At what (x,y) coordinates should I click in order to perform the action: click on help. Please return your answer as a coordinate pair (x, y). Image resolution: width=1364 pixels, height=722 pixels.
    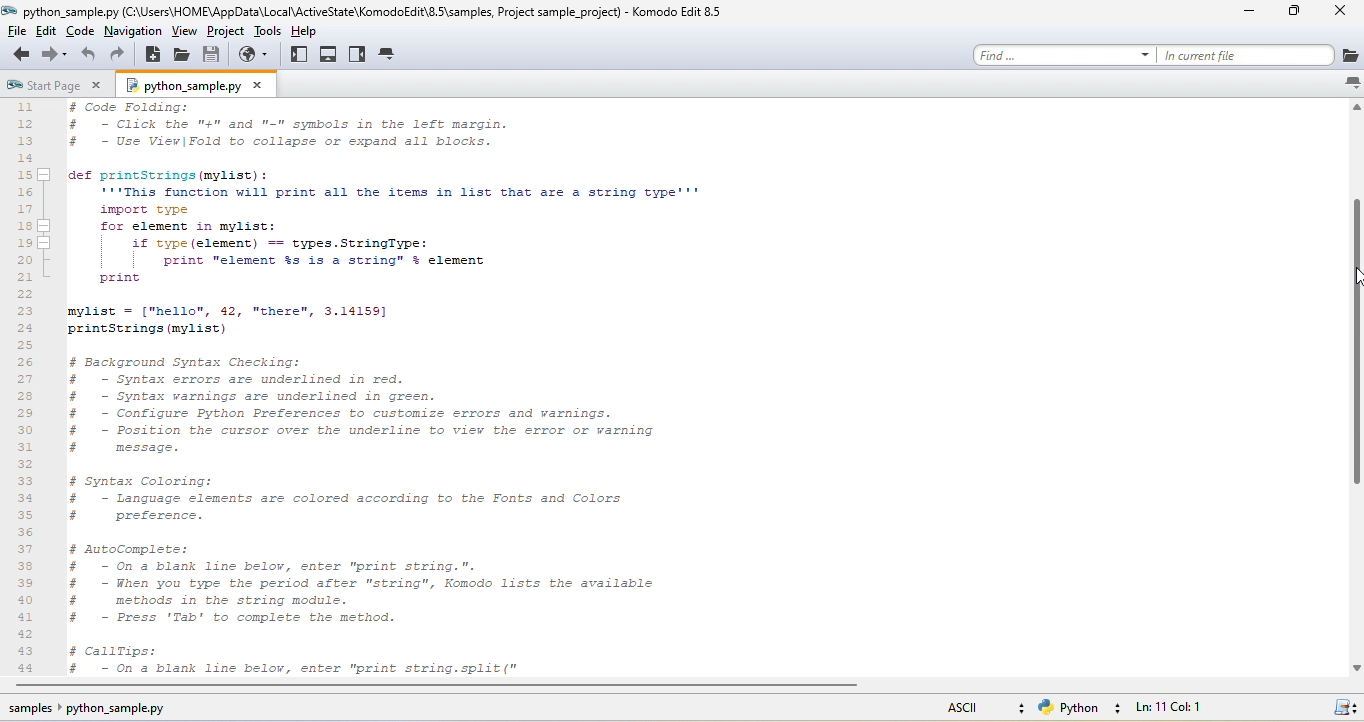
    Looking at the image, I should click on (311, 31).